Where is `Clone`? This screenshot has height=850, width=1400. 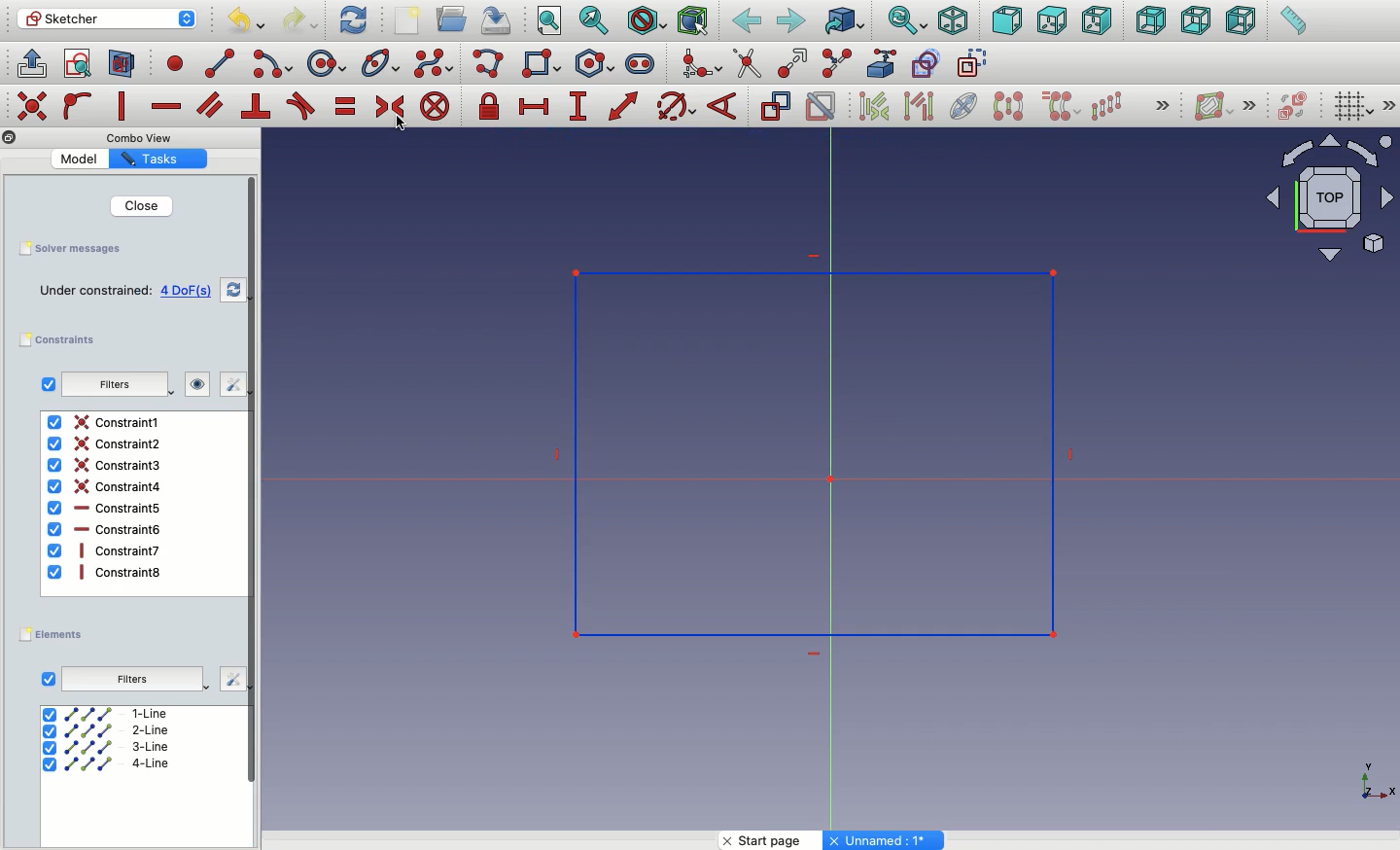 Clone is located at coordinates (1059, 107).